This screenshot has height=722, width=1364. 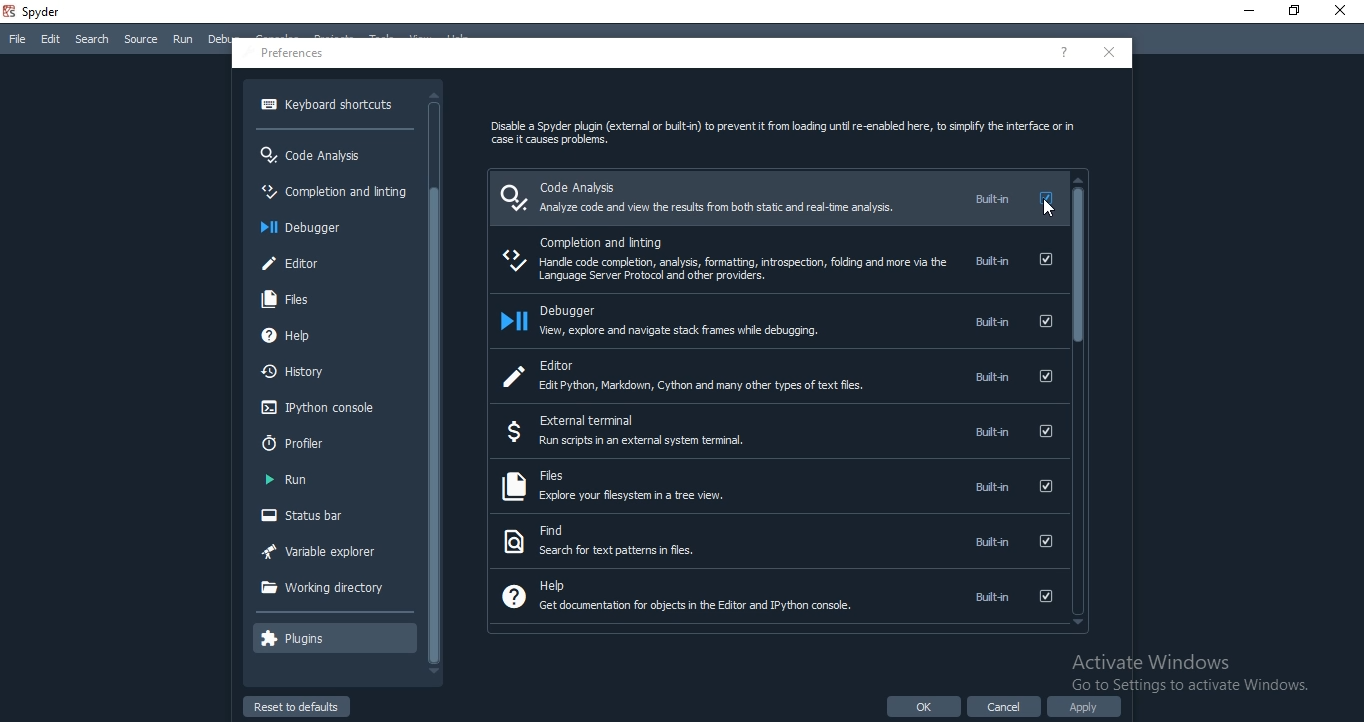 What do you see at coordinates (330, 409) in the screenshot?
I see `Ipython console` at bounding box center [330, 409].